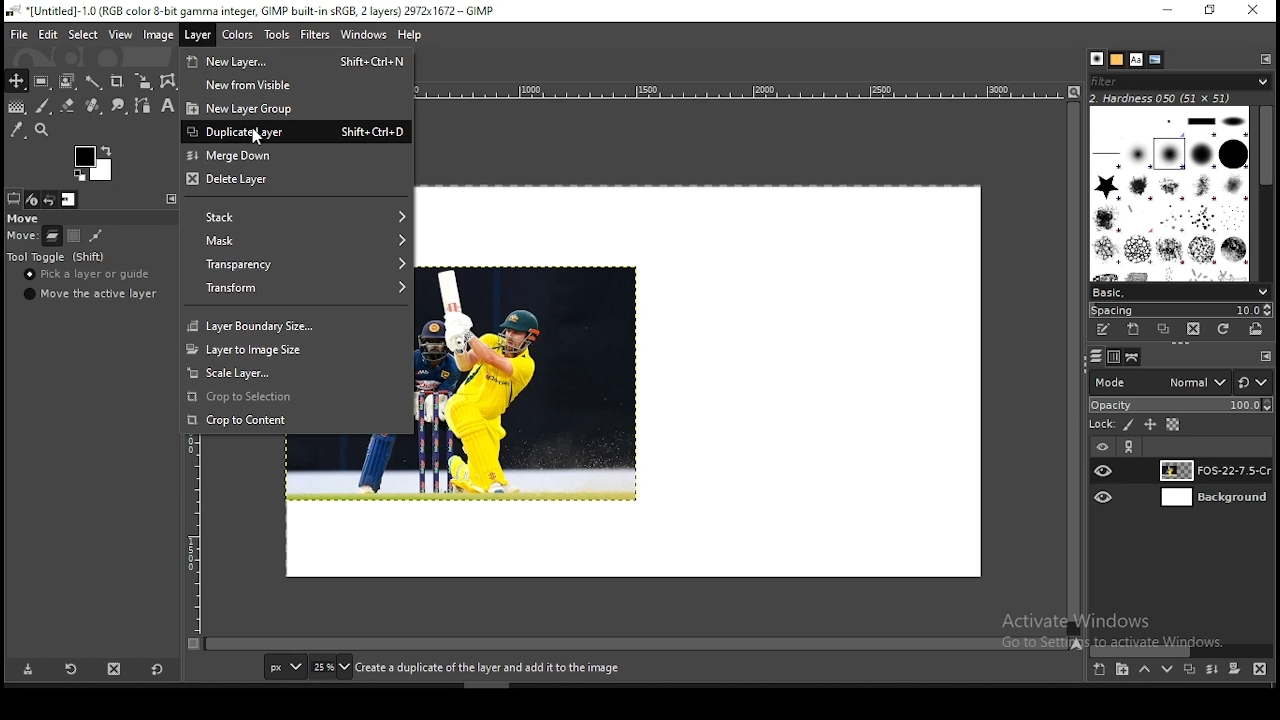 The height and width of the screenshot is (720, 1280). Describe the element at coordinates (1180, 406) in the screenshot. I see `opacity` at that location.